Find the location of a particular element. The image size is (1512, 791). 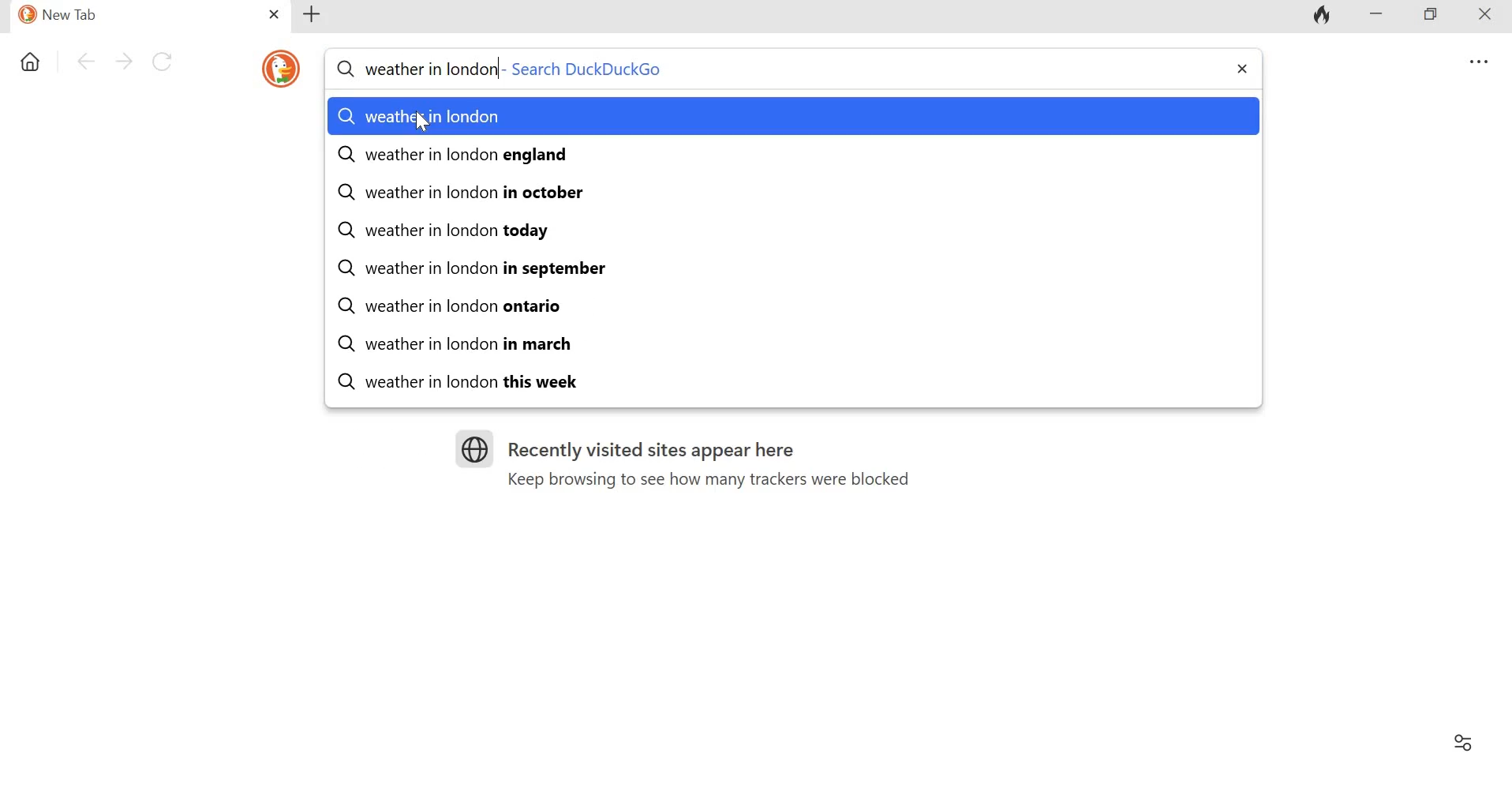

weather in london in march is located at coordinates (795, 341).